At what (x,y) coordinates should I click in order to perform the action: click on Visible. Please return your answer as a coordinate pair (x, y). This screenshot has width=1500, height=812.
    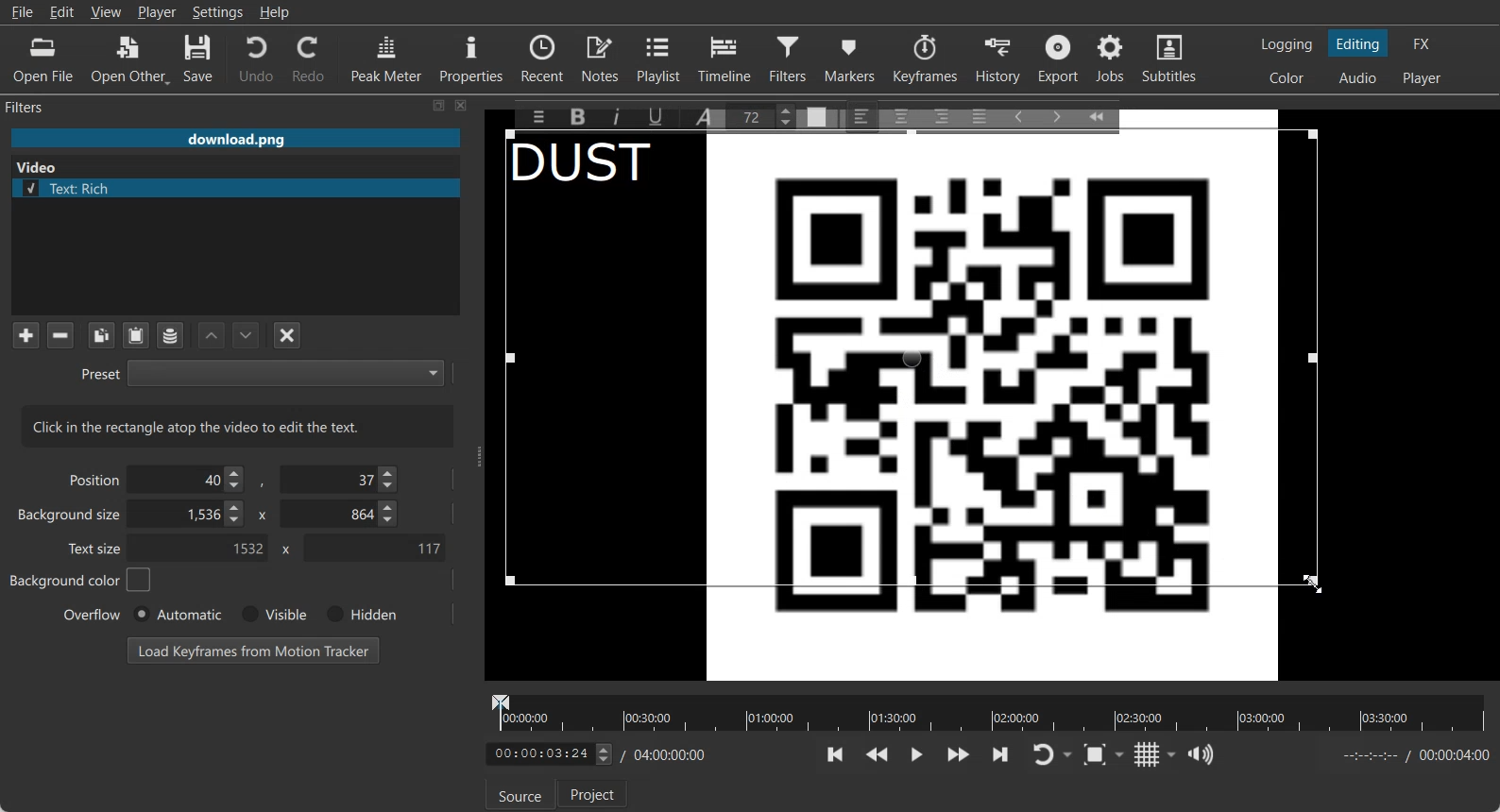
    Looking at the image, I should click on (272, 615).